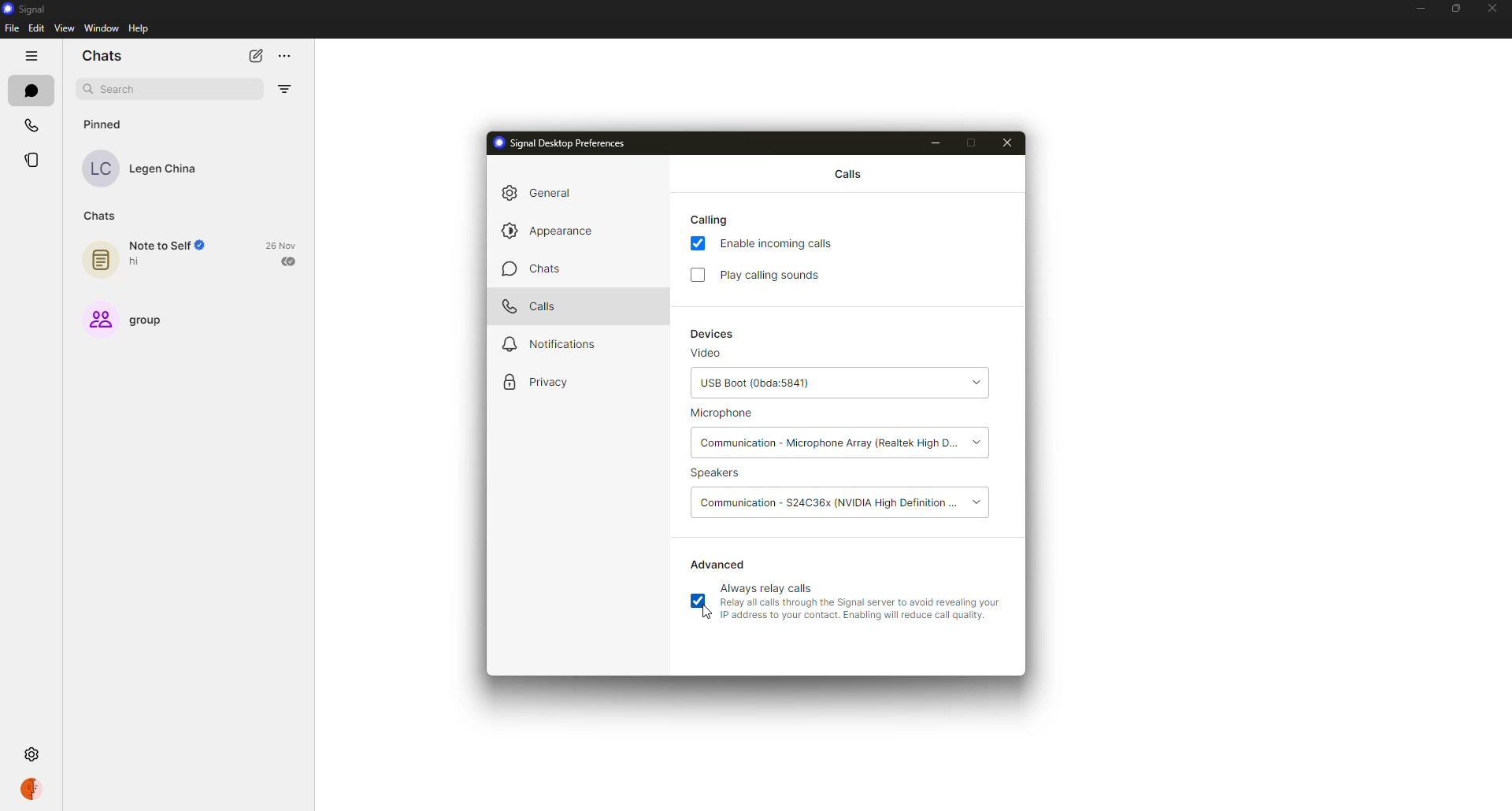 The width and height of the screenshot is (1512, 811). Describe the element at coordinates (828, 443) in the screenshot. I see `Communication - Microphone Array (Realtek High D...` at that location.